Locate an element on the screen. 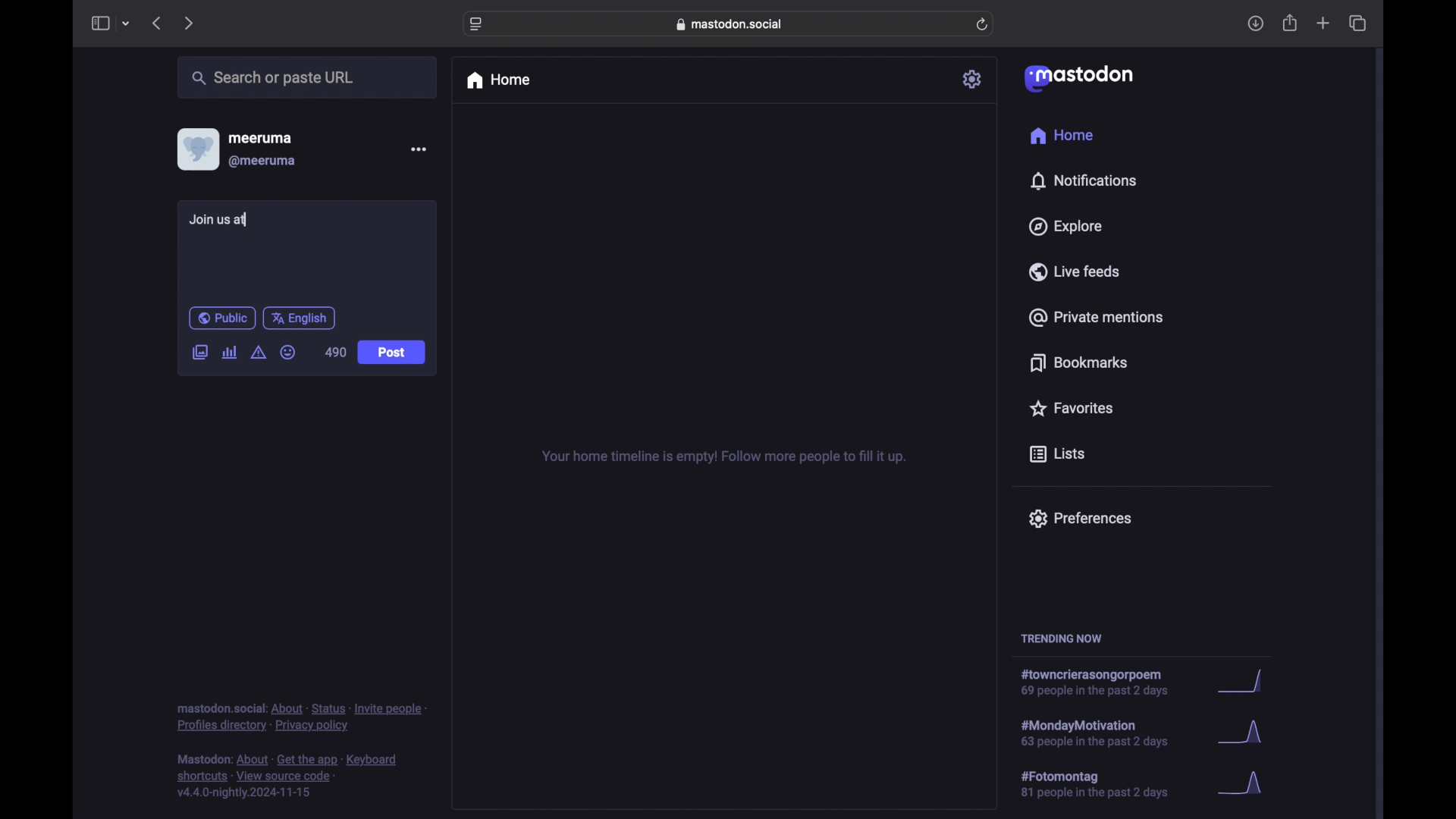  web address is located at coordinates (733, 24).